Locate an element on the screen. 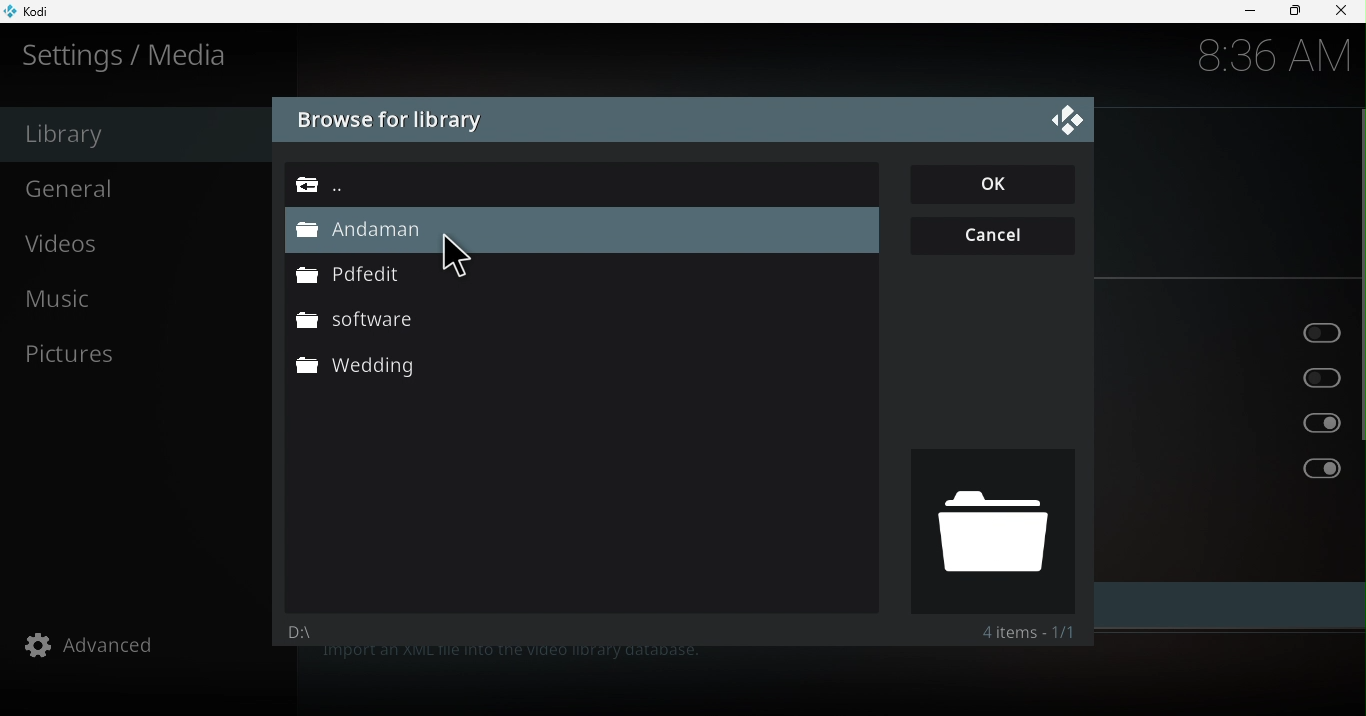 The width and height of the screenshot is (1366, 716). Close is located at coordinates (1067, 118).